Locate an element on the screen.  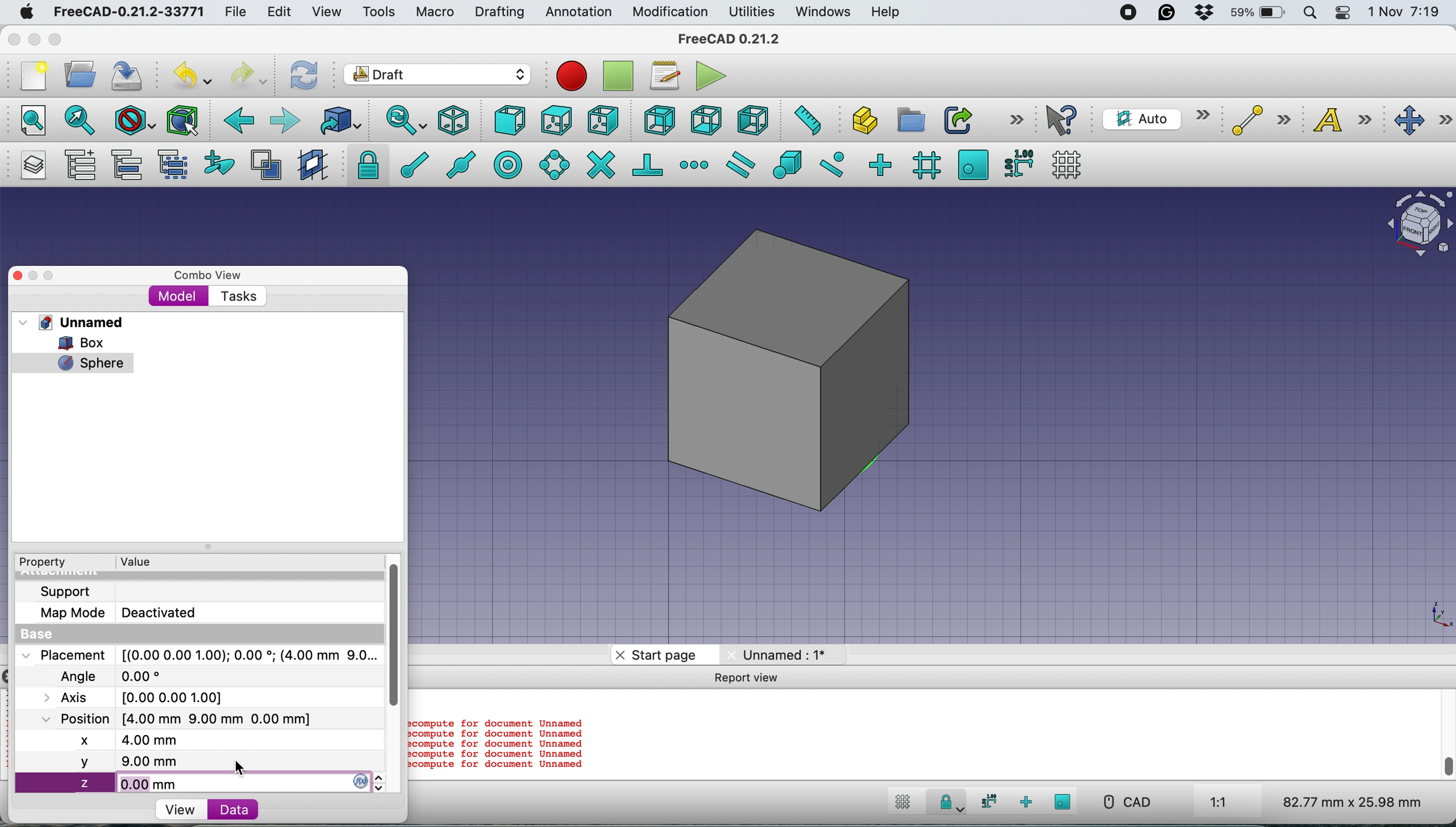
unnamed is located at coordinates (76, 322).